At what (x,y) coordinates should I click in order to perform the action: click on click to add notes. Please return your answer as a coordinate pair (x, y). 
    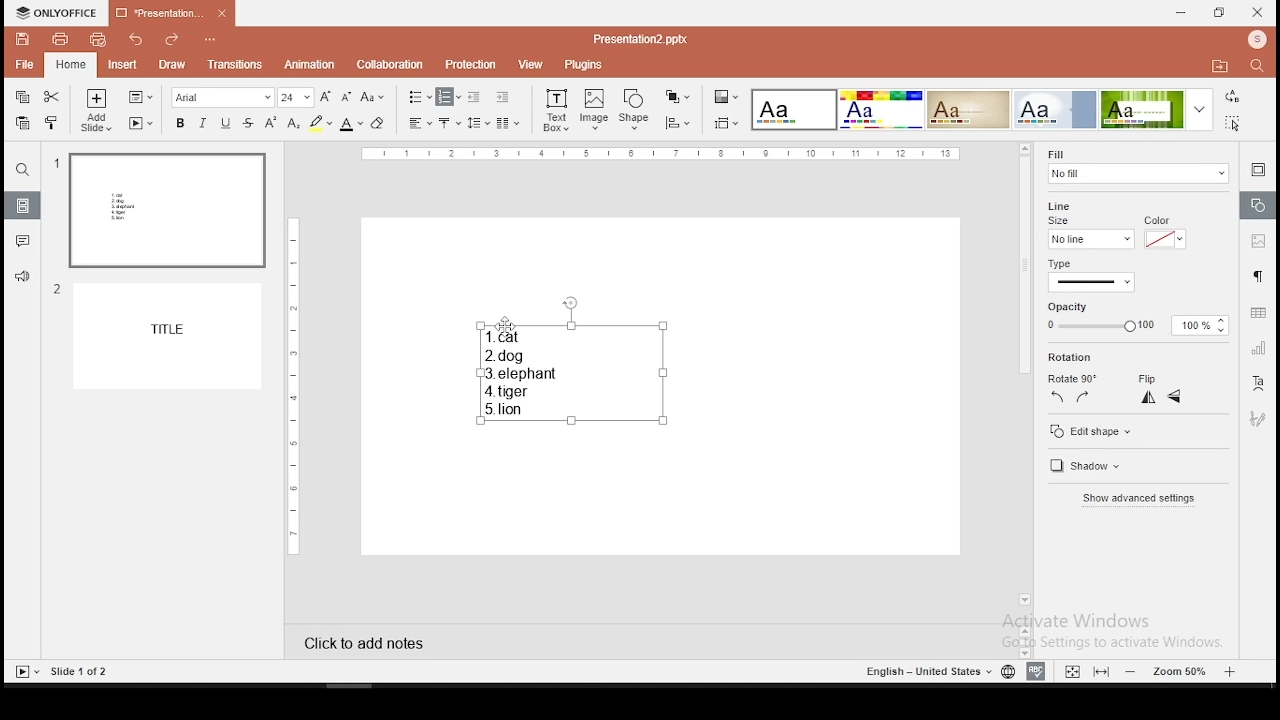
    Looking at the image, I should click on (358, 643).